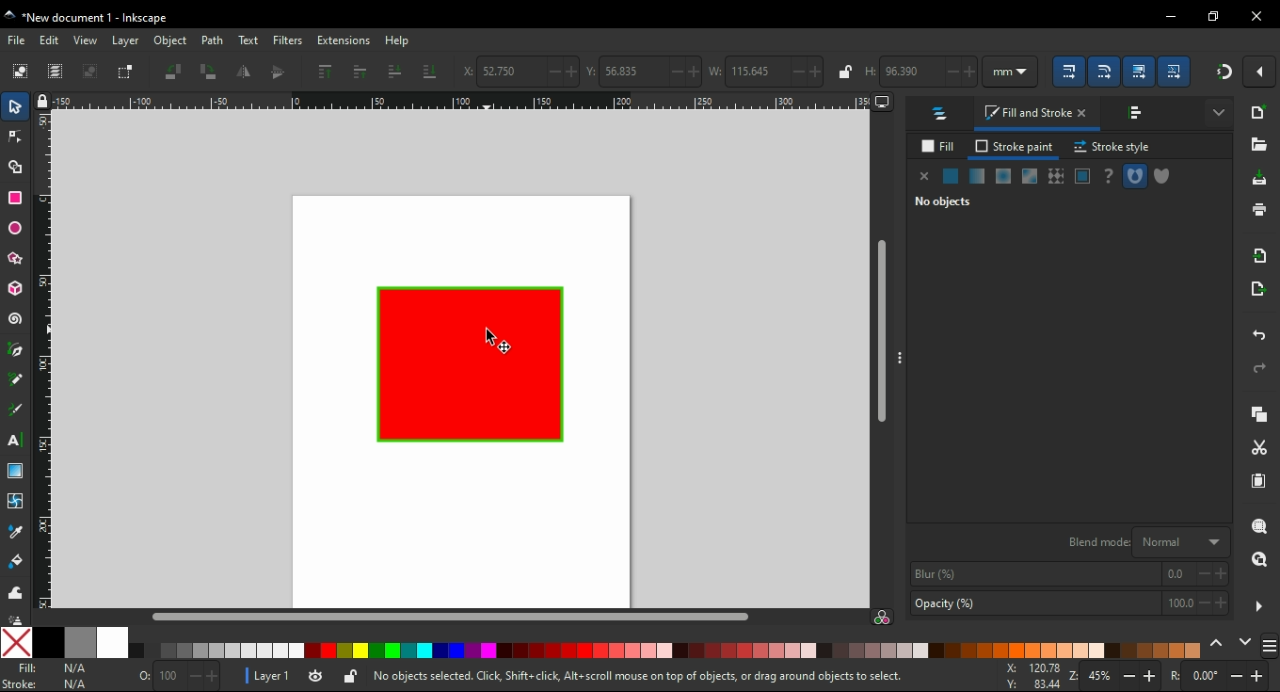  What do you see at coordinates (1212, 573) in the screenshot?
I see `increase/decrease` at bounding box center [1212, 573].